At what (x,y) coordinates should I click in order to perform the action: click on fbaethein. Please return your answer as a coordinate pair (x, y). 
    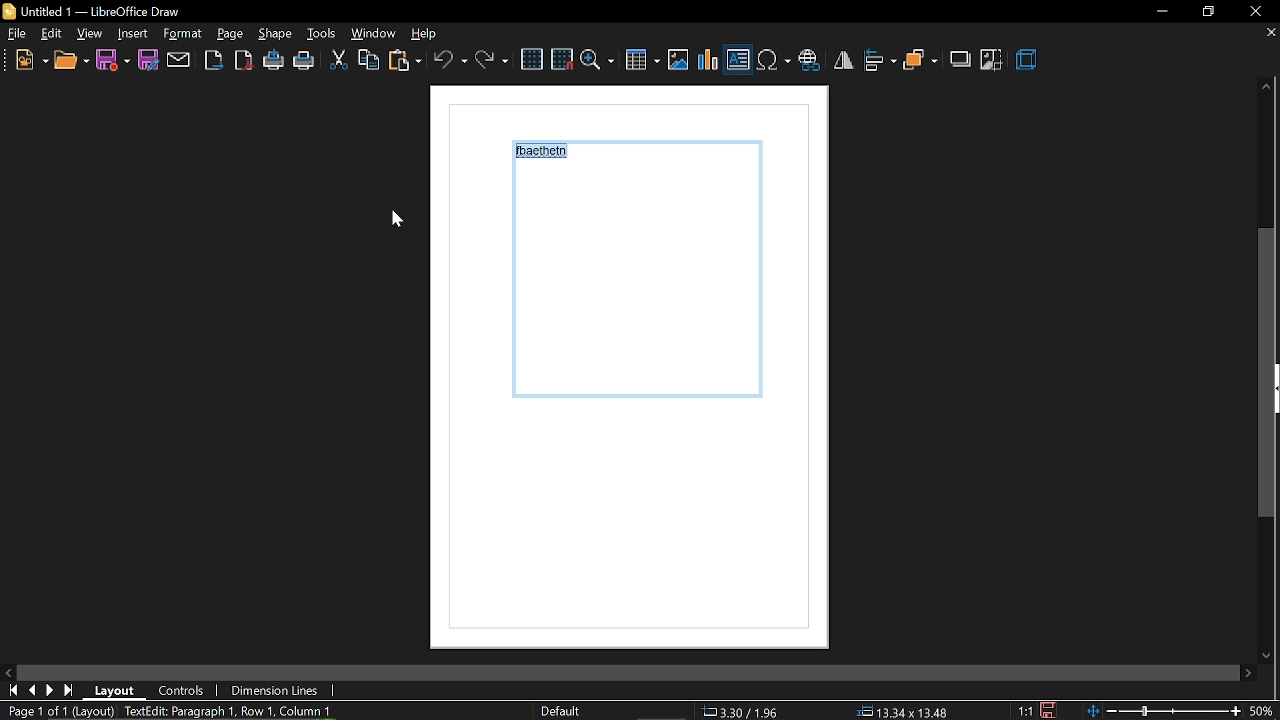
    Looking at the image, I should click on (545, 154).